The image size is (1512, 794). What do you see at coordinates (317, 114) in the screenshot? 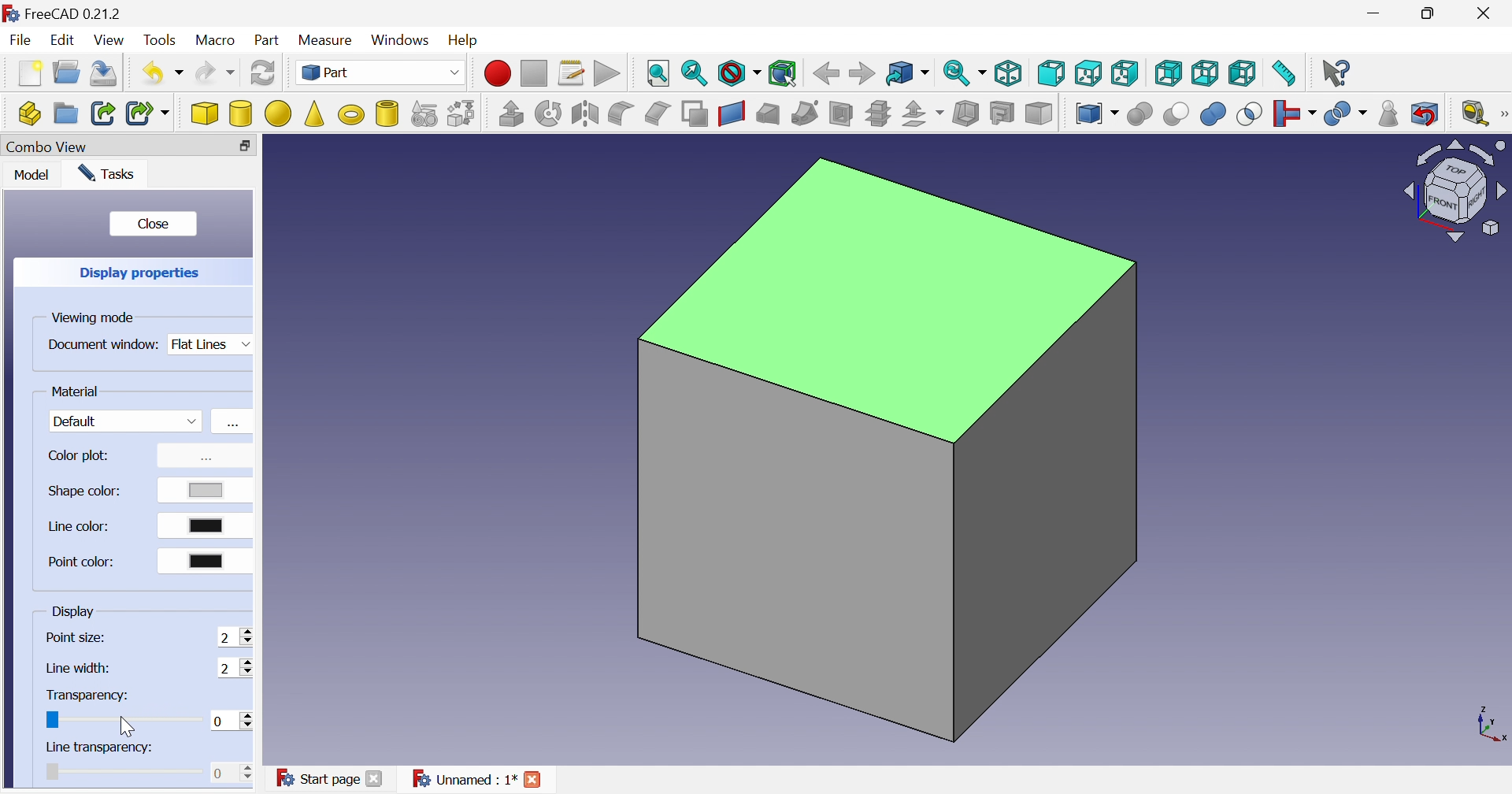
I see `Cone` at bounding box center [317, 114].